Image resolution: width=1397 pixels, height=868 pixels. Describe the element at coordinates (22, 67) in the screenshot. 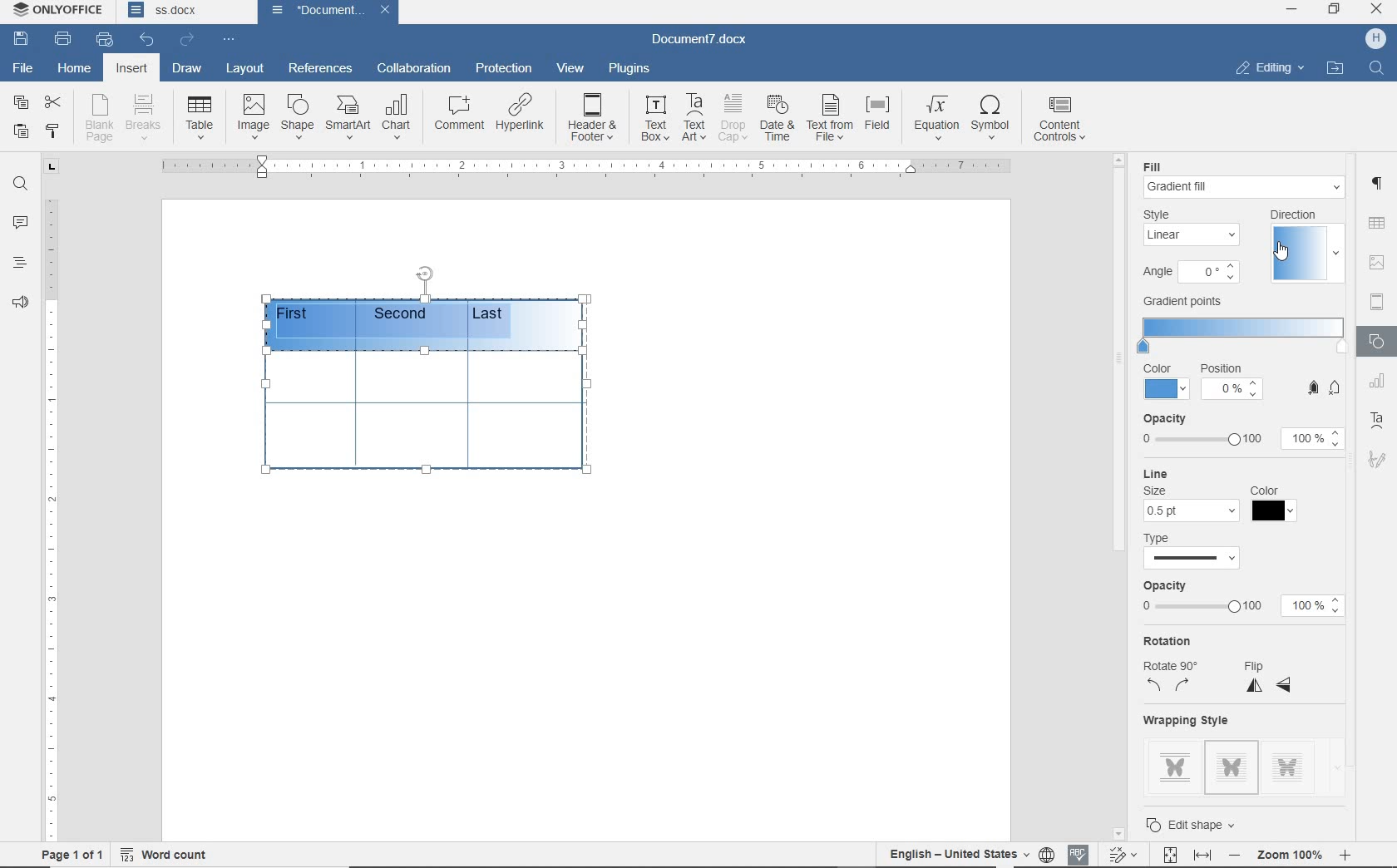

I see `file` at that location.